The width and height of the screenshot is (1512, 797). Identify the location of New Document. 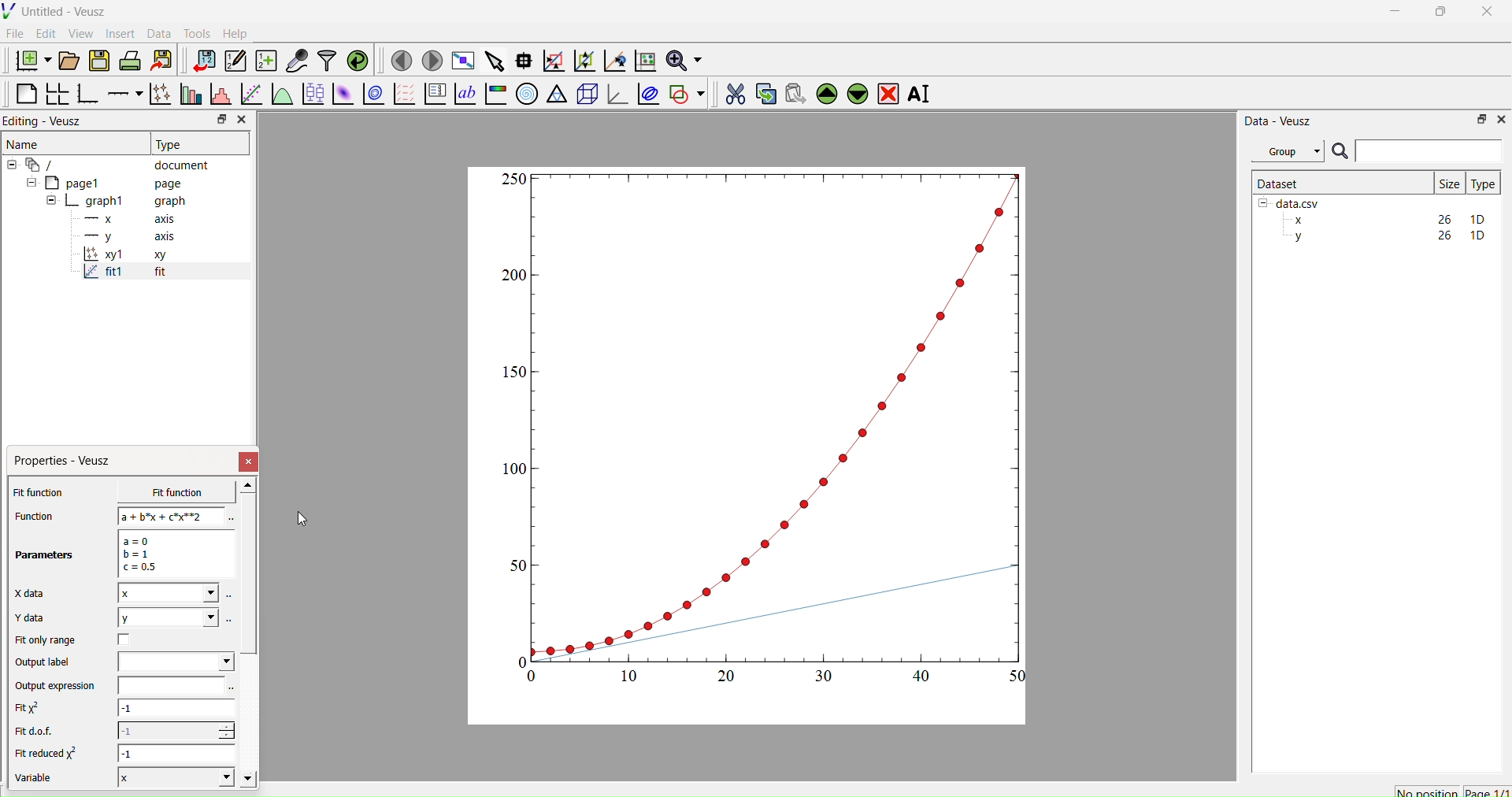
(29, 58).